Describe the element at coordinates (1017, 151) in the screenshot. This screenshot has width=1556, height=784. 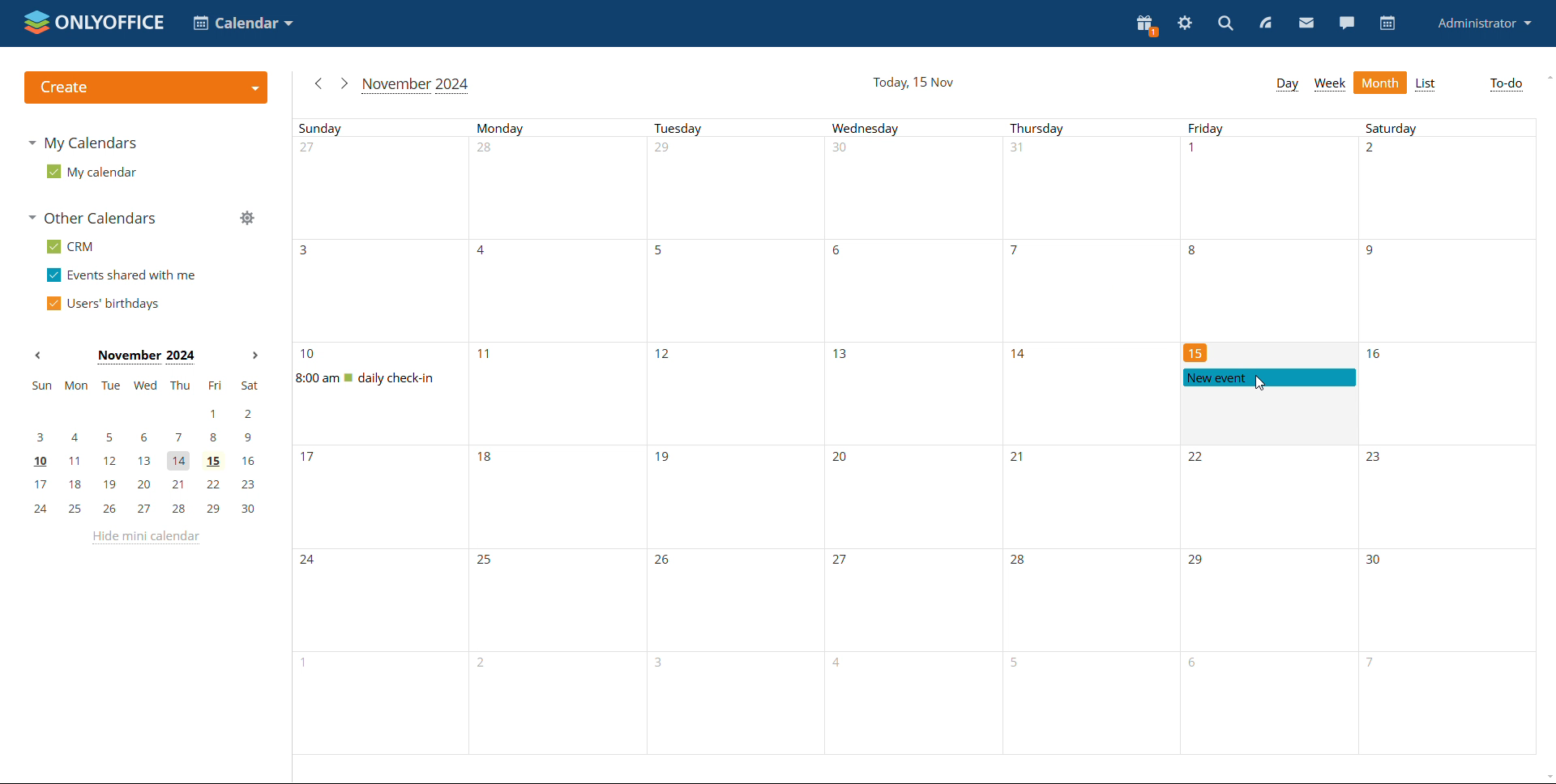
I see `Number` at that location.